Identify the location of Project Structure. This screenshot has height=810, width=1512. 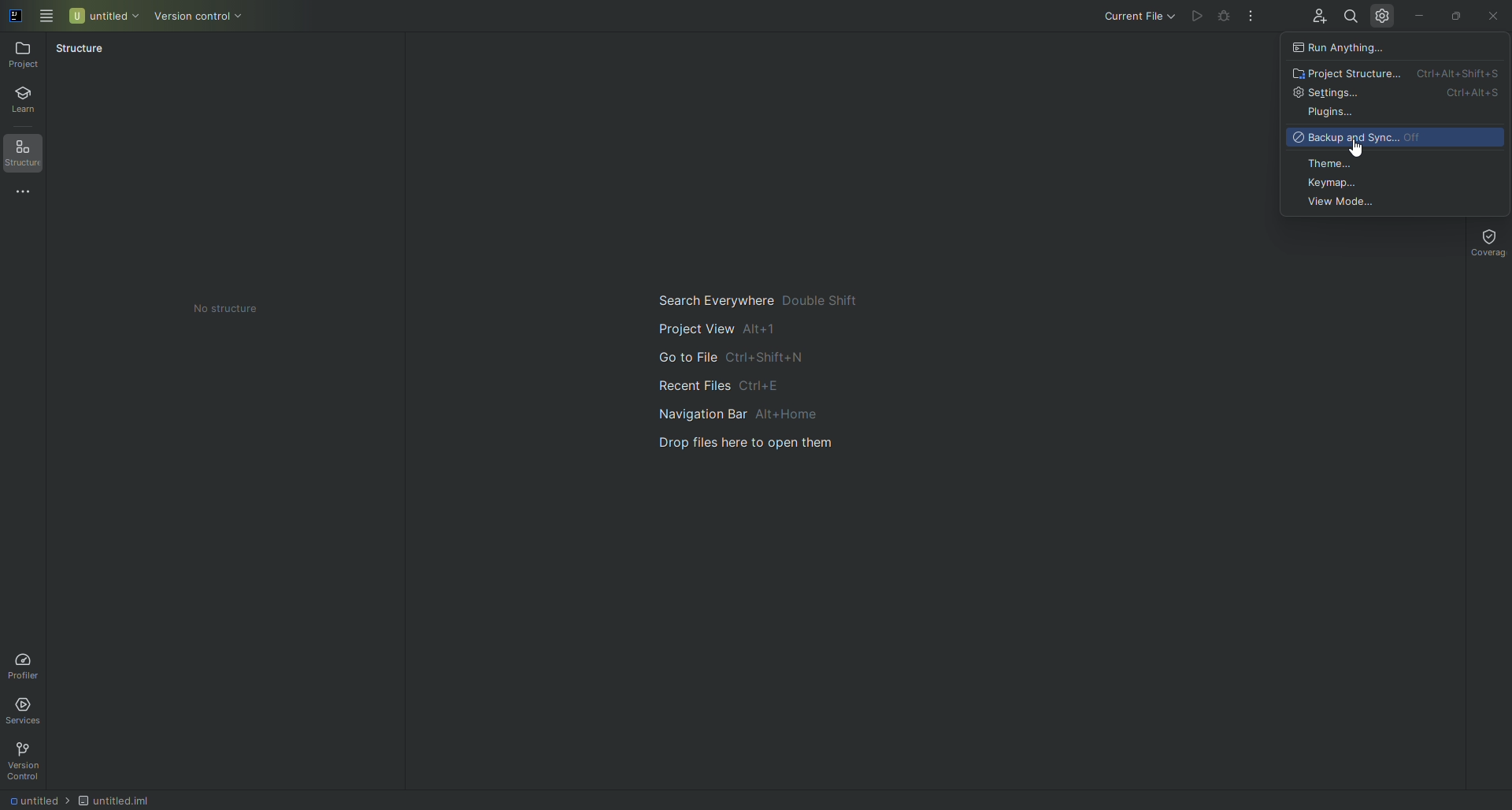
(1397, 73).